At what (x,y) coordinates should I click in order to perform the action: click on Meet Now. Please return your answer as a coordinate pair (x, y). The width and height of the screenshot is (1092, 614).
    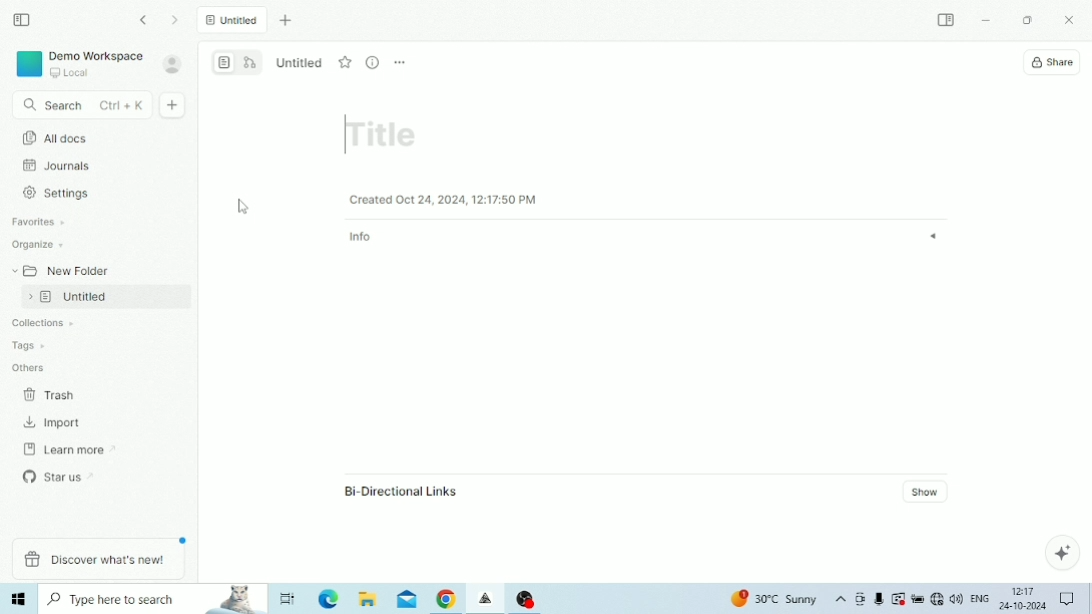
    Looking at the image, I should click on (860, 599).